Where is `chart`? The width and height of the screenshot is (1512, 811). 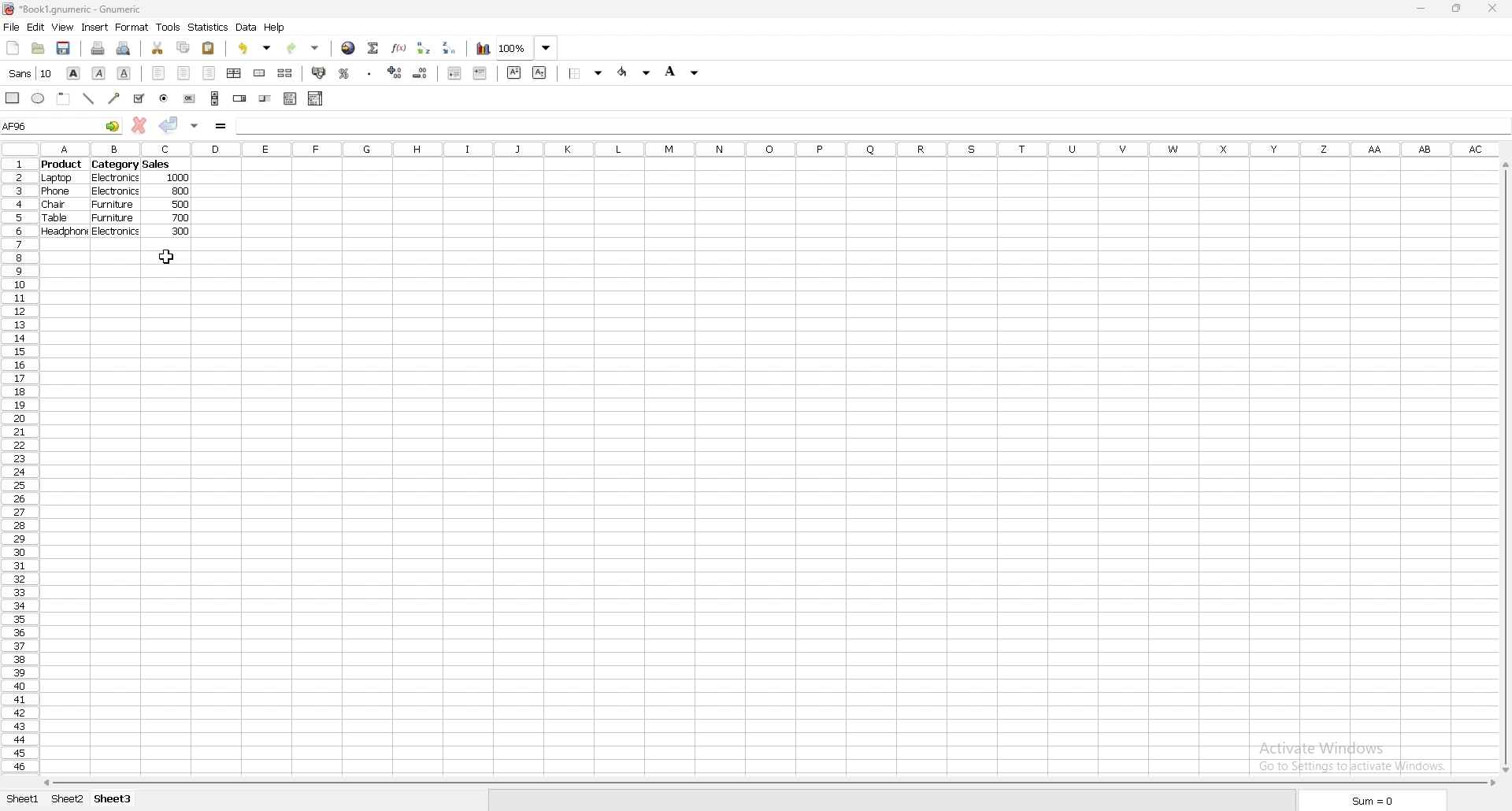
chart is located at coordinates (484, 50).